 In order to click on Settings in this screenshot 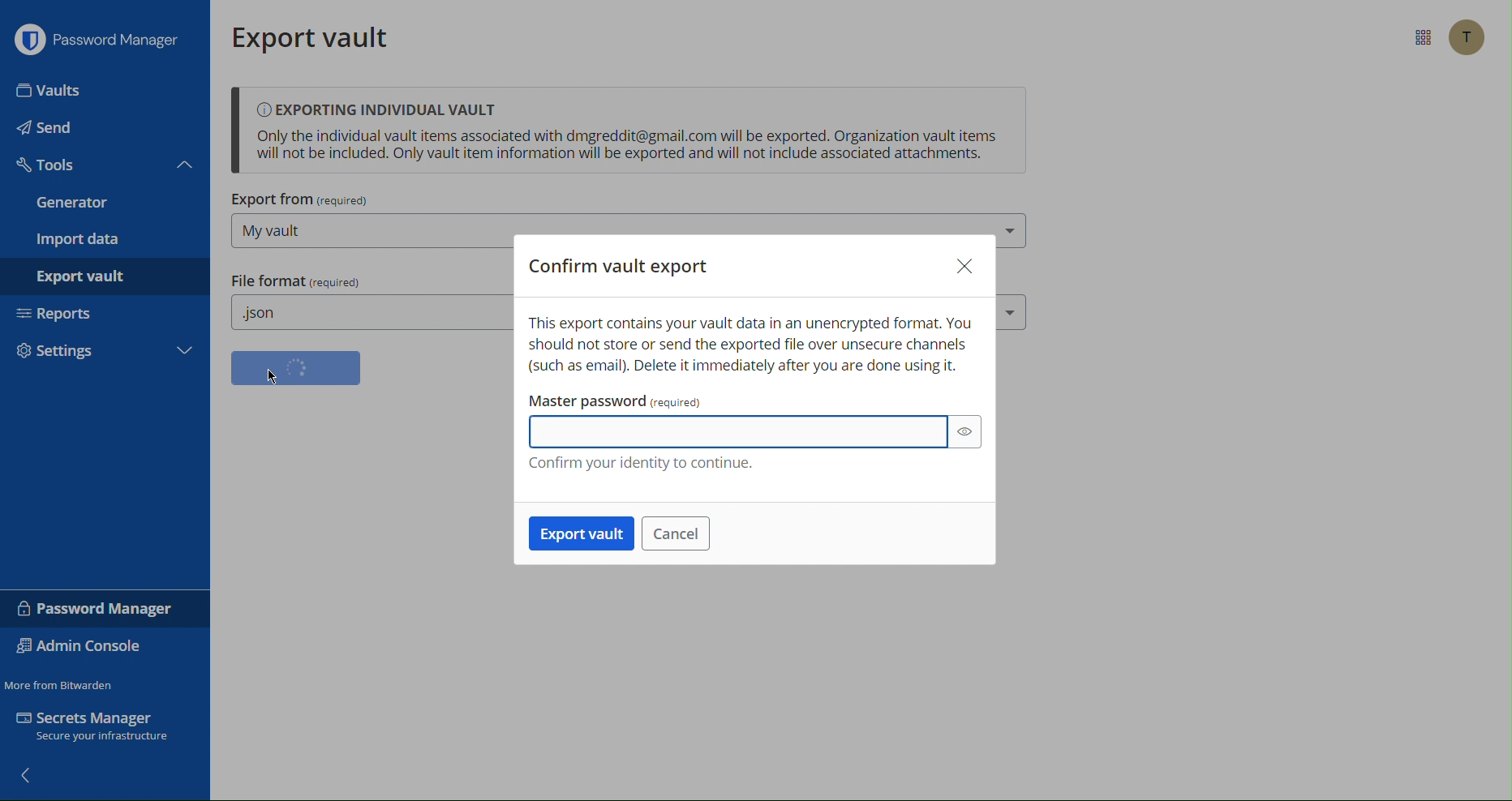, I will do `click(107, 356)`.